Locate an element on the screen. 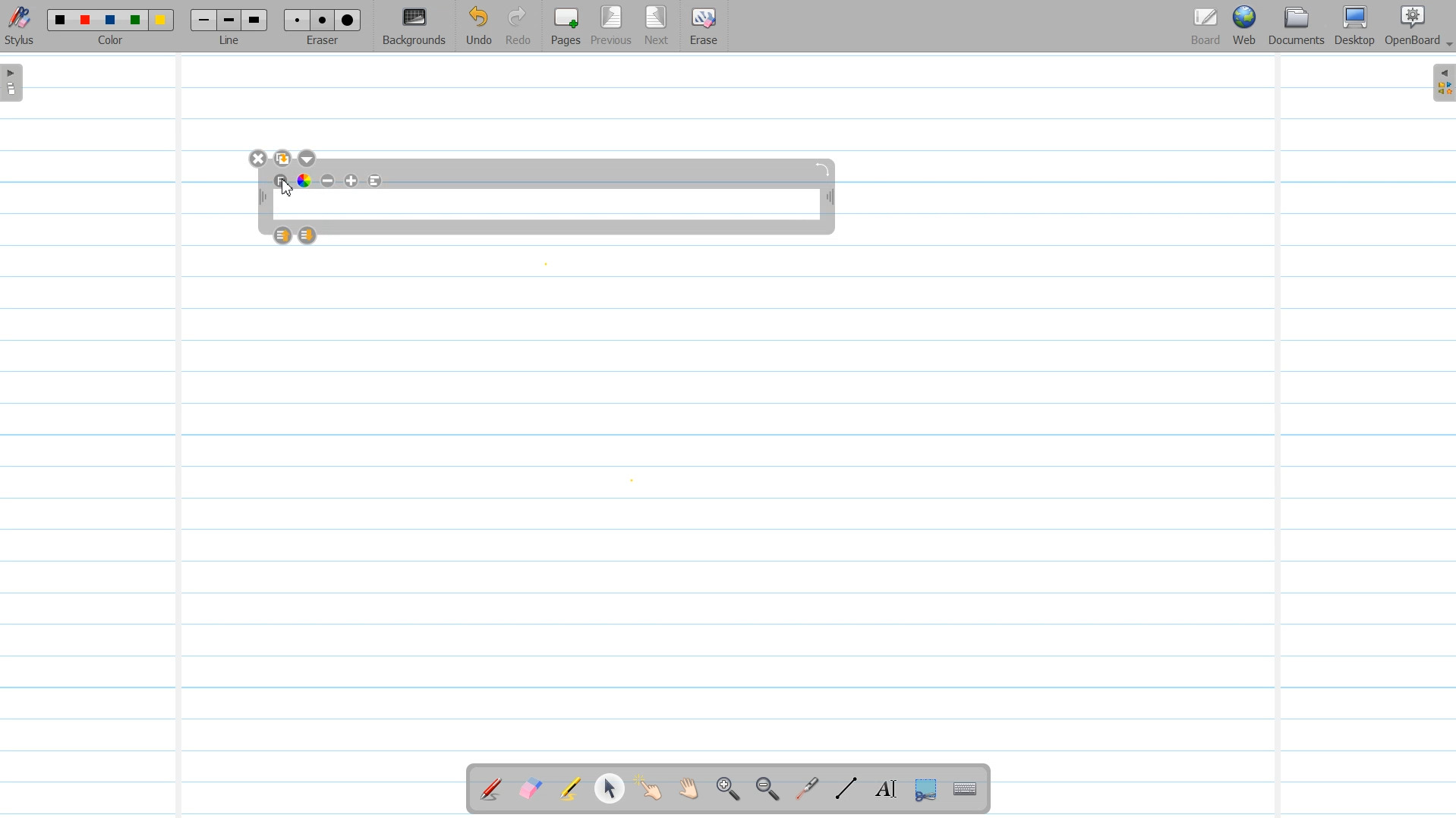 This screenshot has height=818, width=1456. Text Tool is located at coordinates (883, 789).